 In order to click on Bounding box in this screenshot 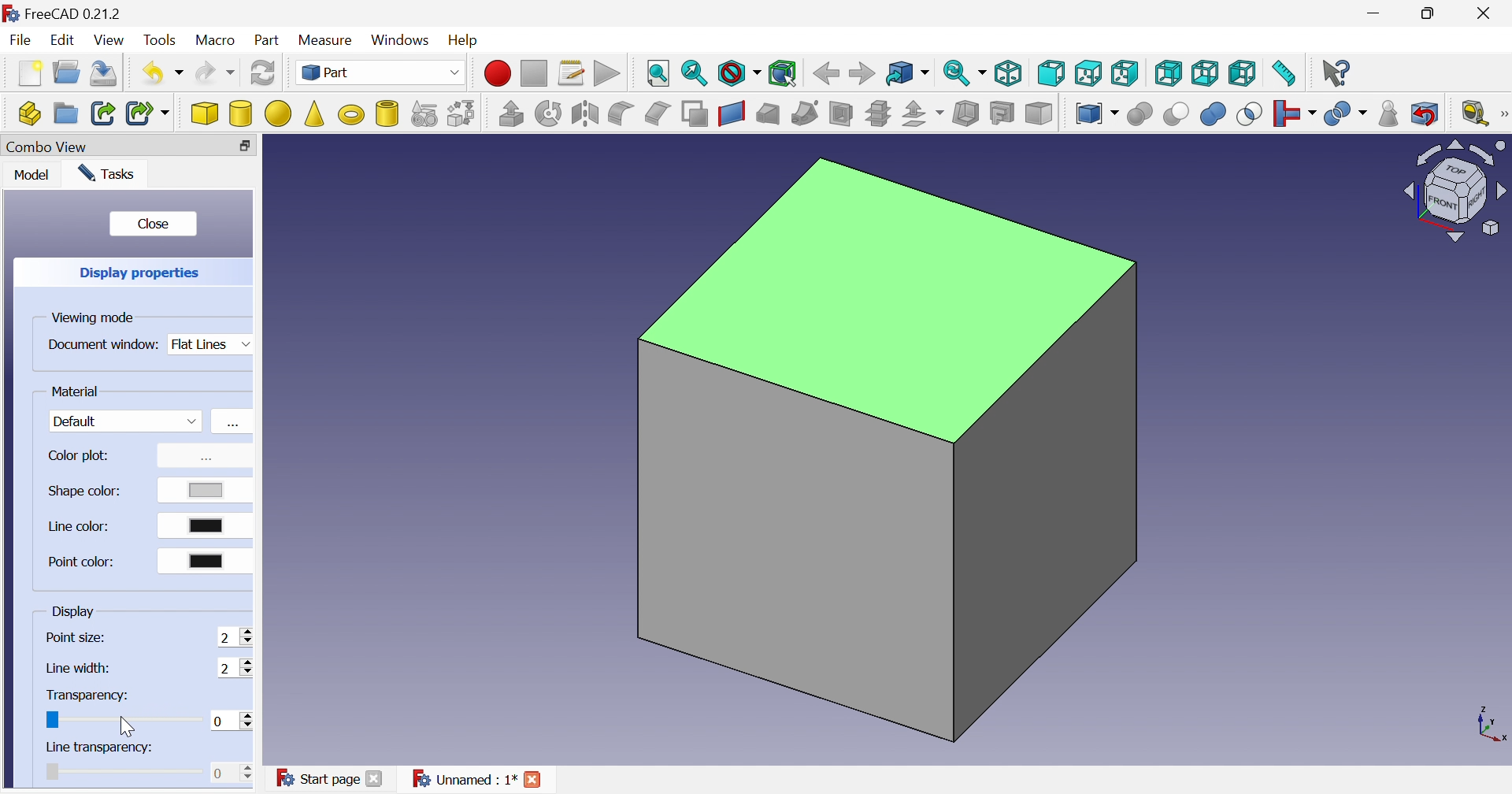, I will do `click(784, 71)`.